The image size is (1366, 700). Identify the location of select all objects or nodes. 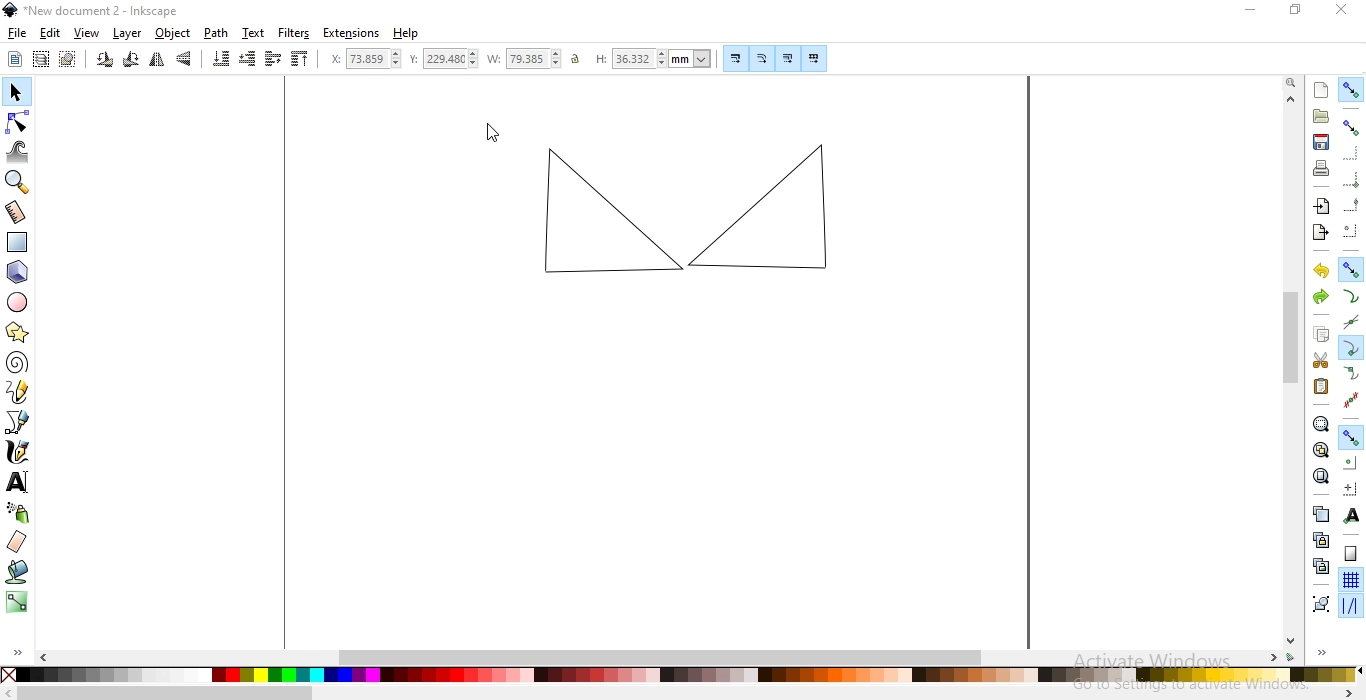
(15, 60).